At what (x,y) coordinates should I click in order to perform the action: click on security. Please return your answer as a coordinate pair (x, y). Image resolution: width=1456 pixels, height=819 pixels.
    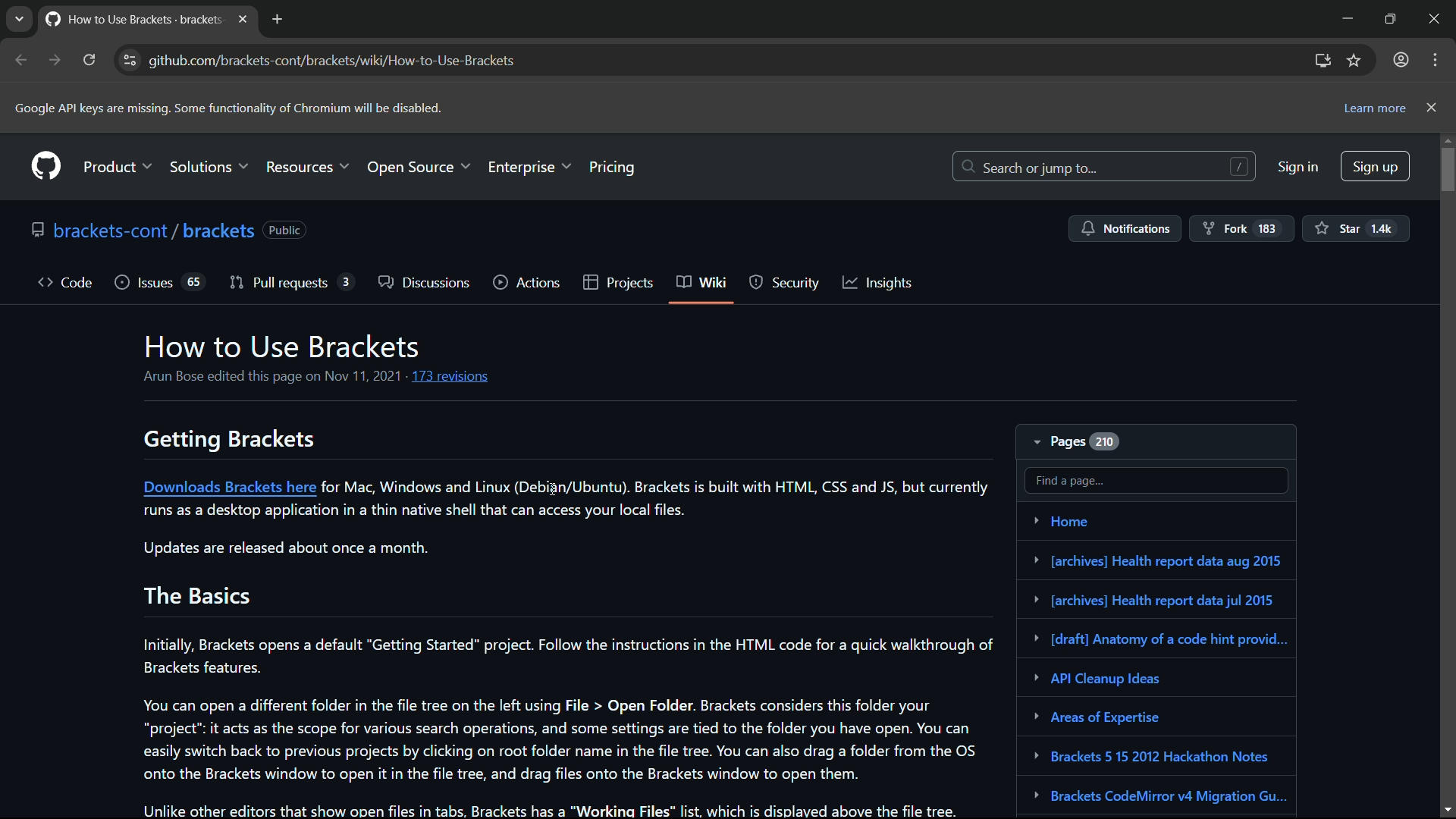
    Looking at the image, I should click on (782, 283).